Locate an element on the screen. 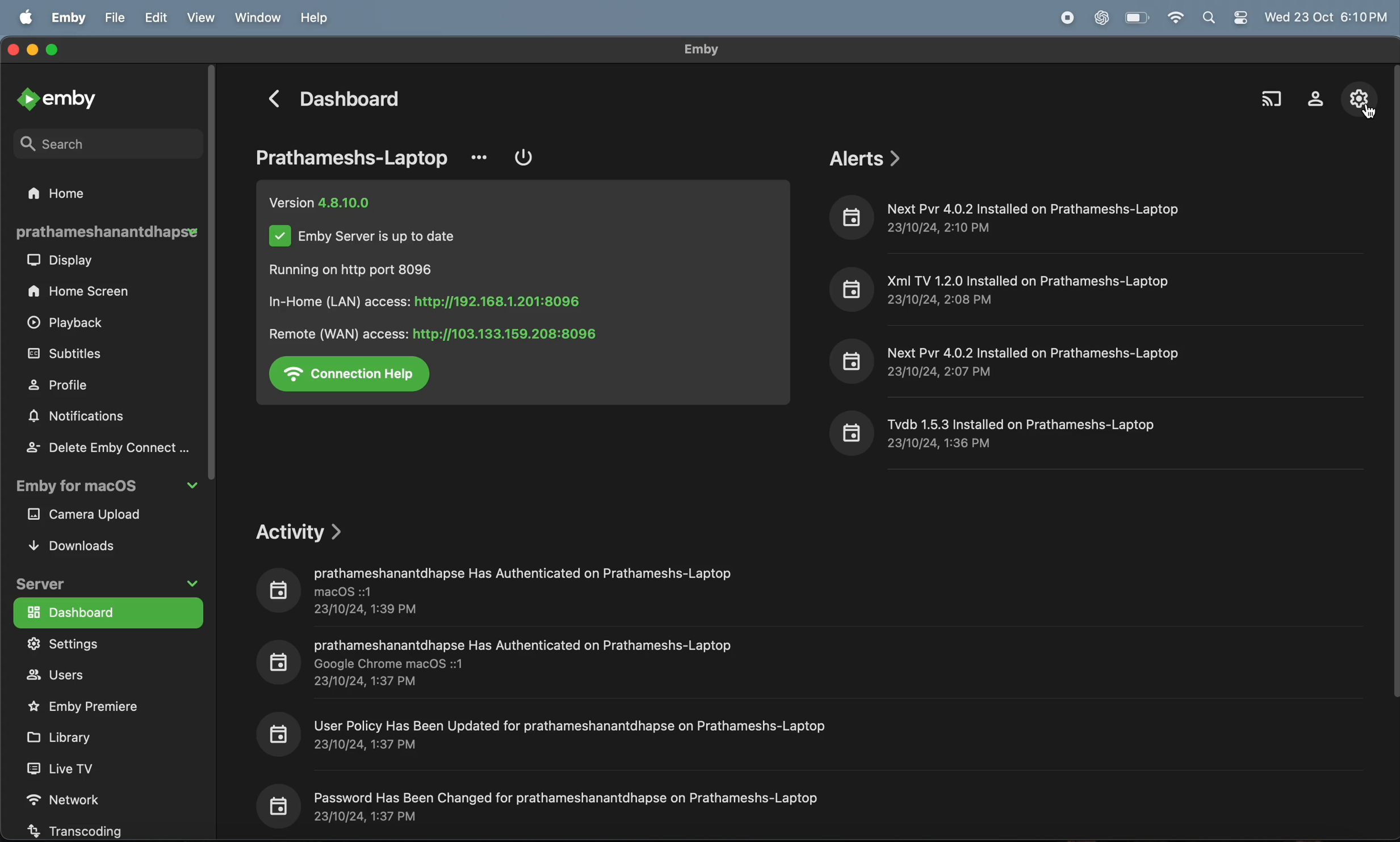 The width and height of the screenshot is (1400, 842). file is located at coordinates (115, 18).